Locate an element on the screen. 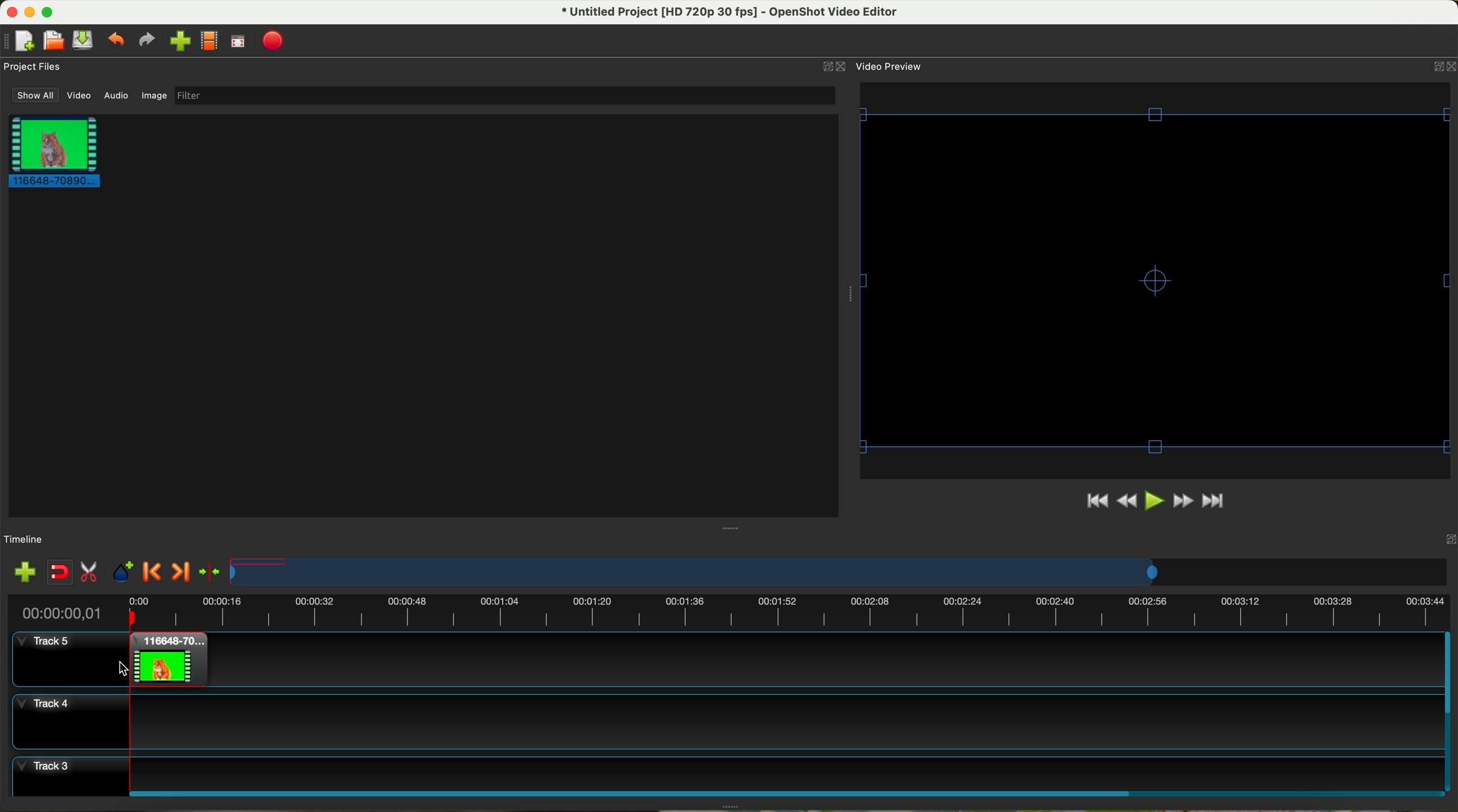 This screenshot has height=812, width=1458. clip is located at coordinates (51, 151).